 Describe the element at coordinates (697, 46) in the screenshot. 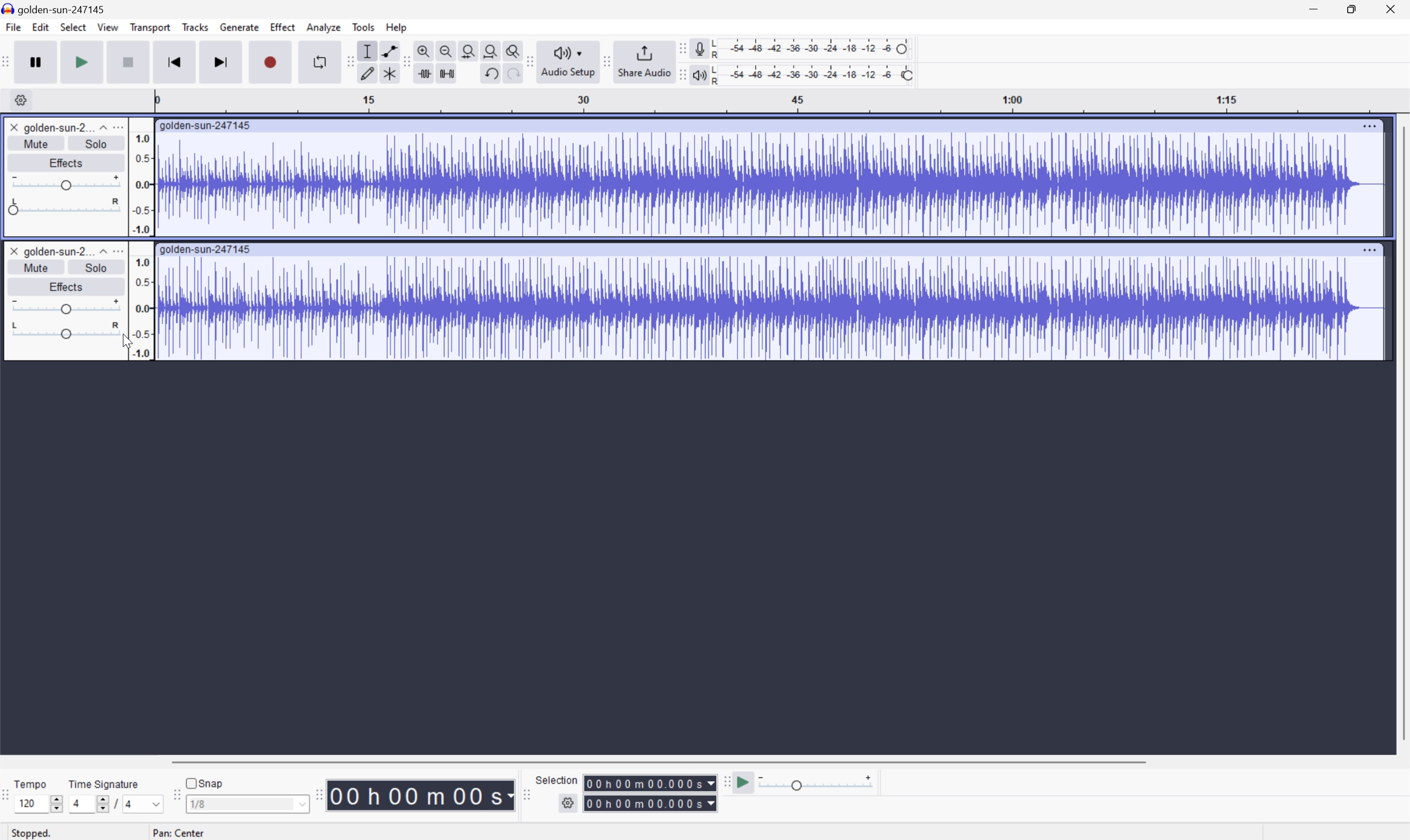

I see `Record meter` at that location.